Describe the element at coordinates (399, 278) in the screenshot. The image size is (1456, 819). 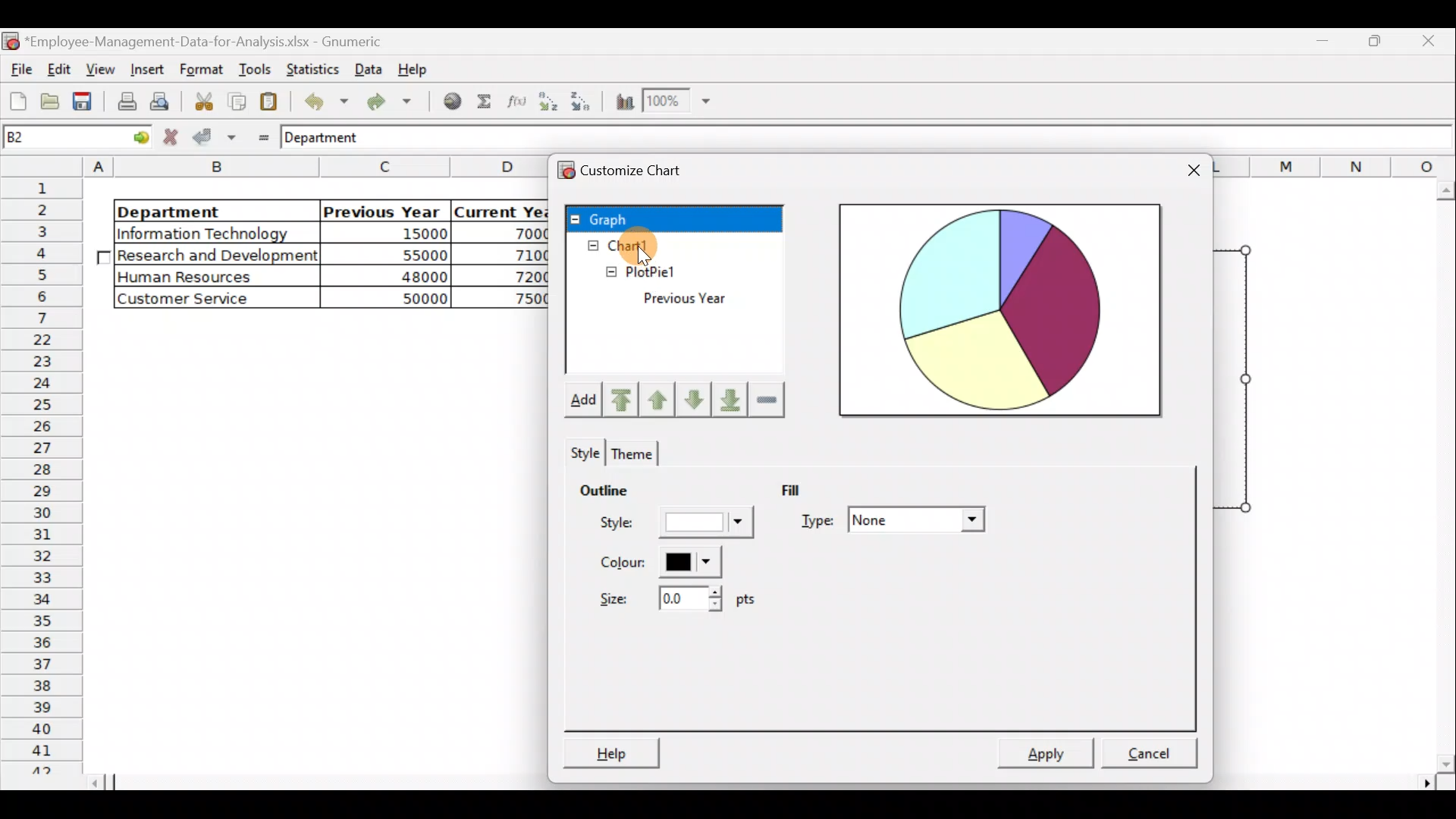
I see `48000` at that location.